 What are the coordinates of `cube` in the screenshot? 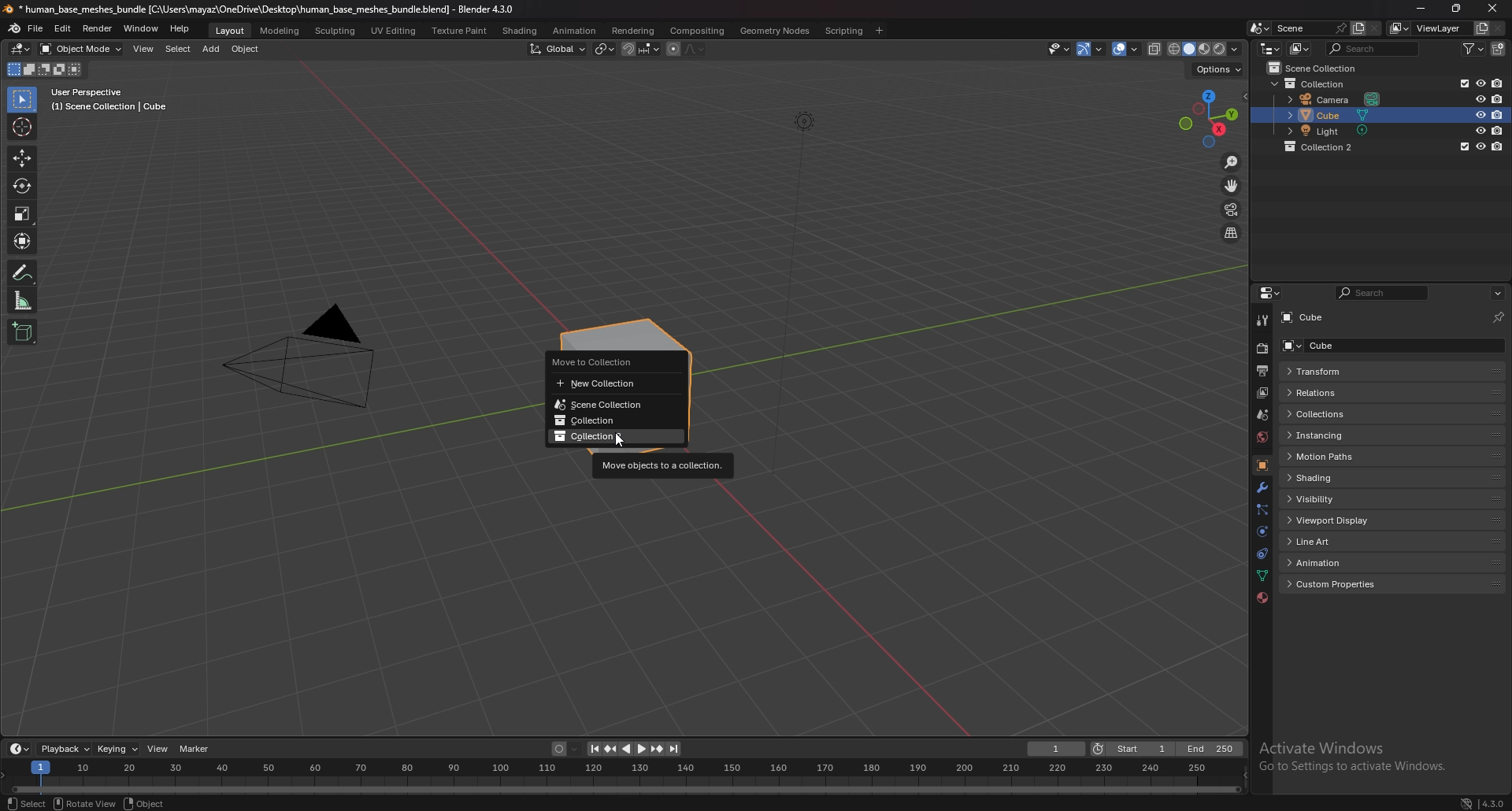 It's located at (1307, 318).